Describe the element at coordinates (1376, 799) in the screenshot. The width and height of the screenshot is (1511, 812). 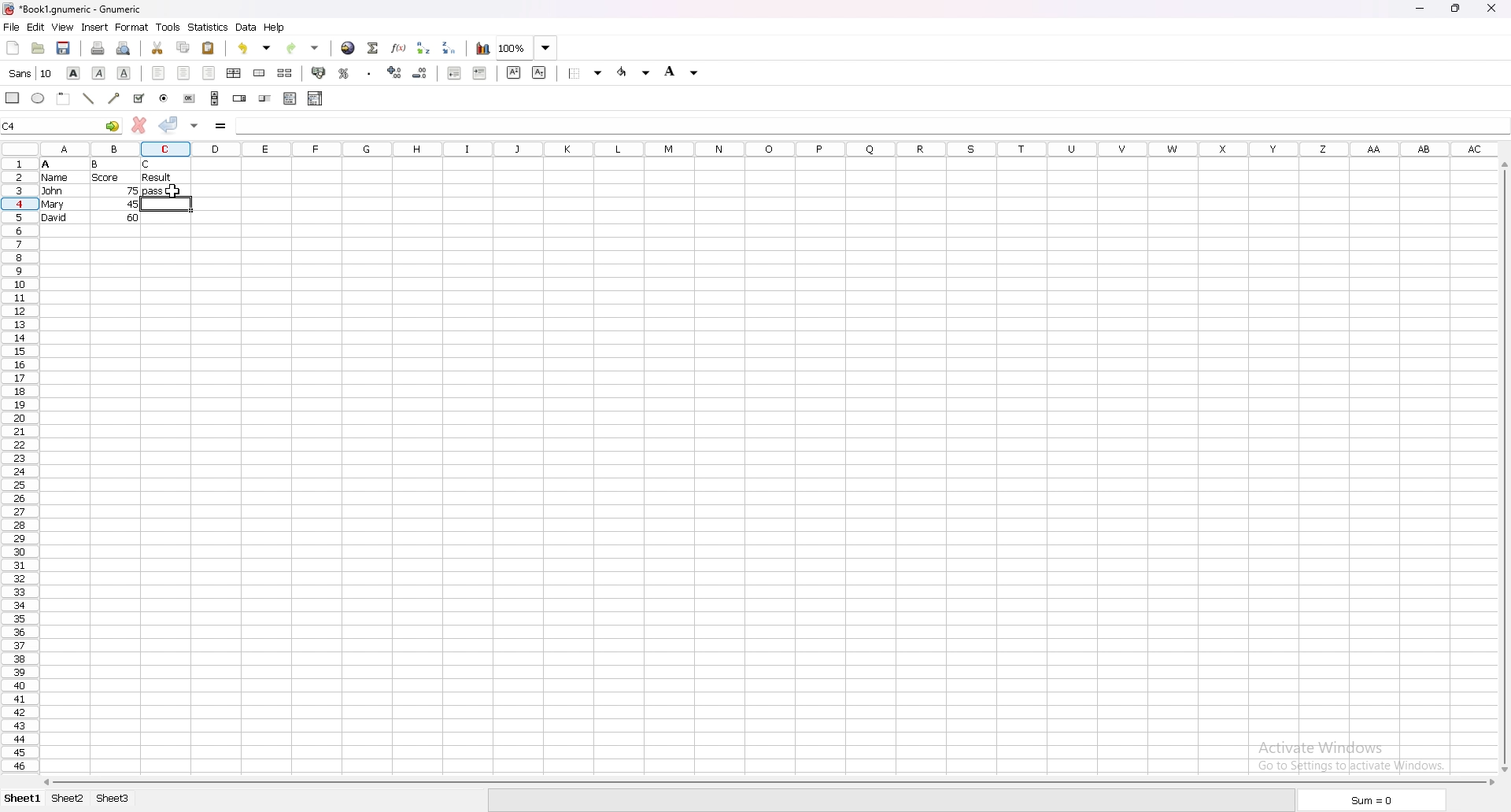
I see `sum` at that location.